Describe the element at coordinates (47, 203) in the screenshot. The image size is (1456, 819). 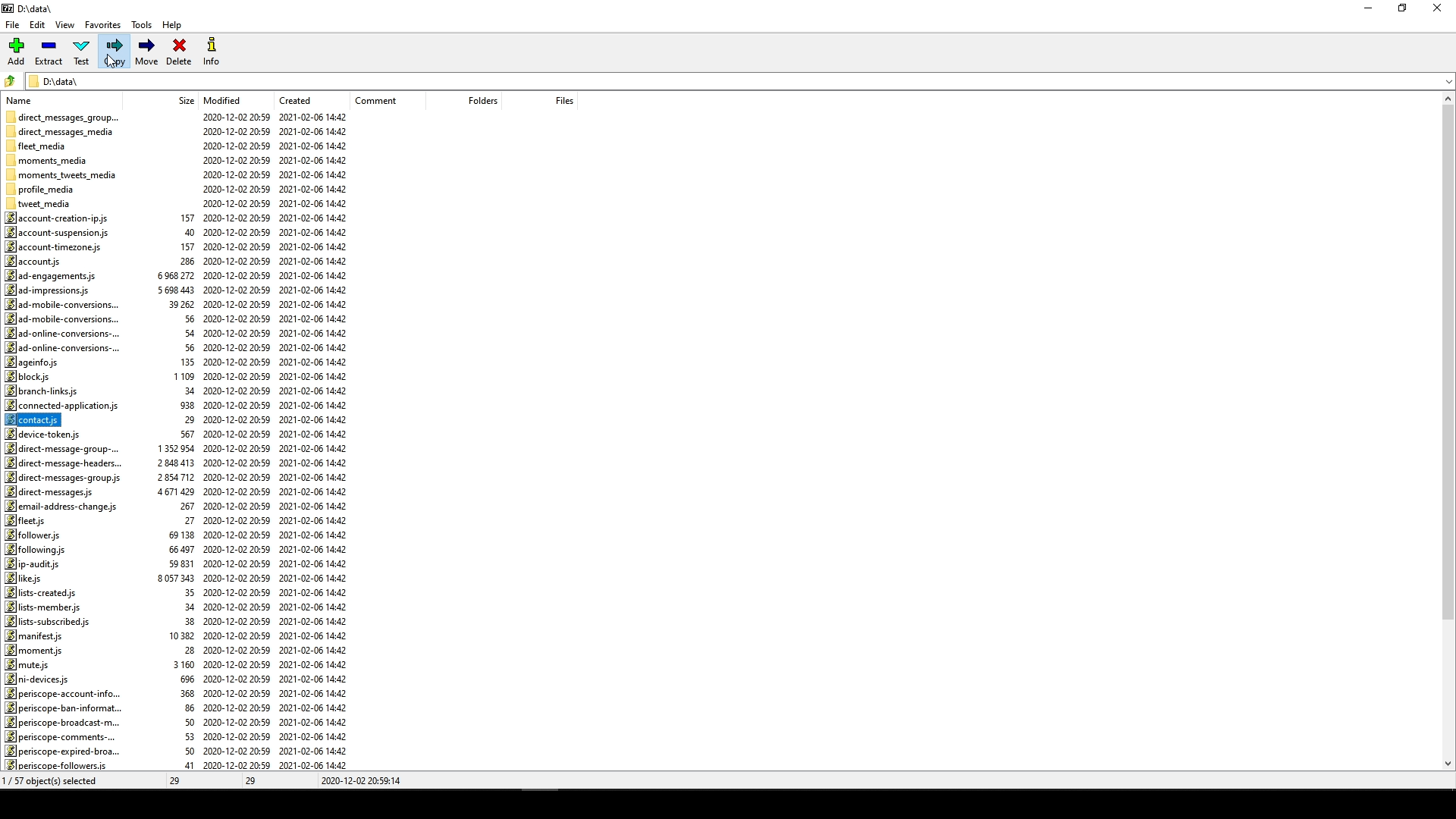
I see `tweet_media` at that location.